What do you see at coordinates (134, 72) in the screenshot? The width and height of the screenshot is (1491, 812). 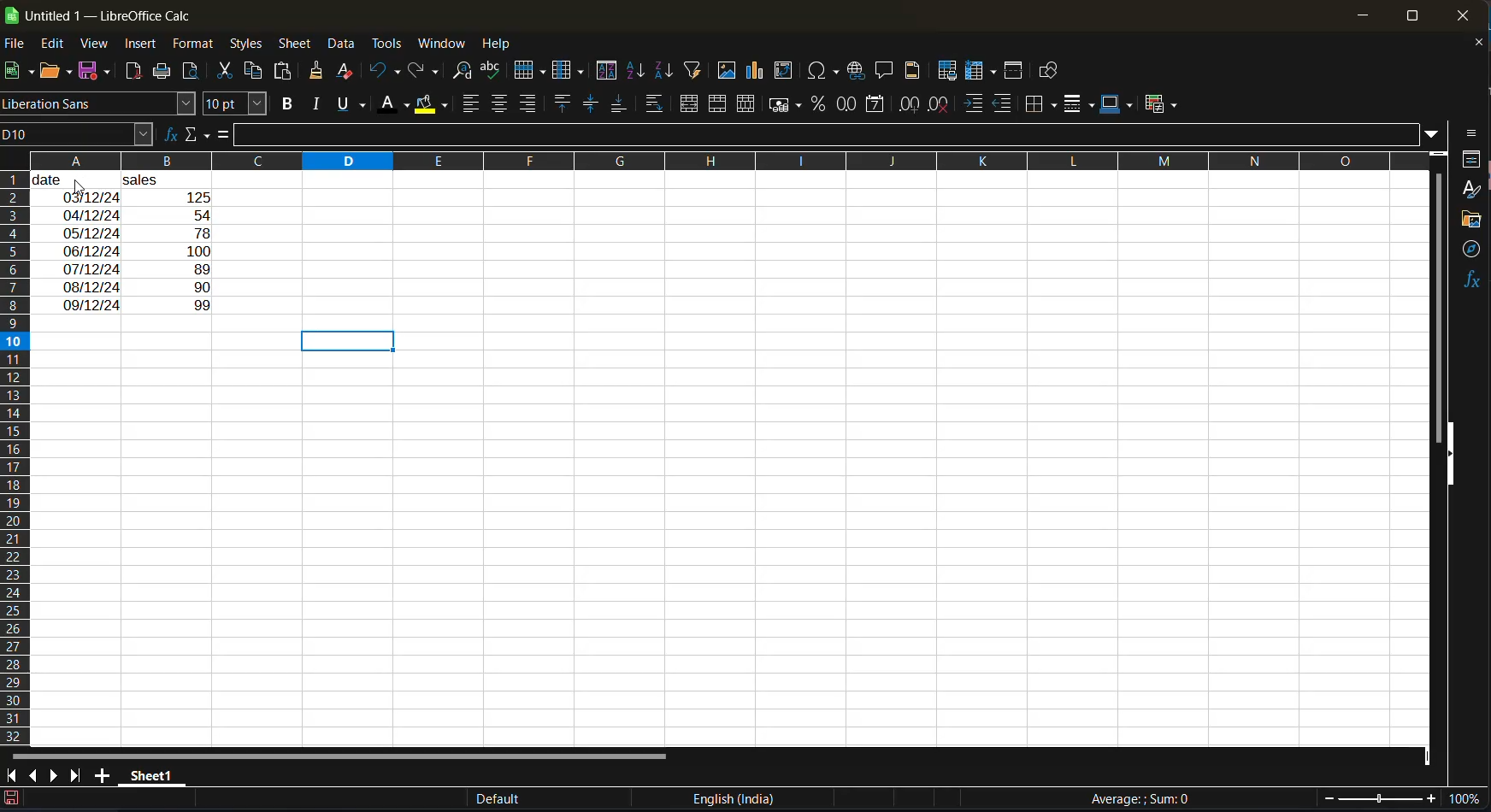 I see `export directly as pdf` at bounding box center [134, 72].